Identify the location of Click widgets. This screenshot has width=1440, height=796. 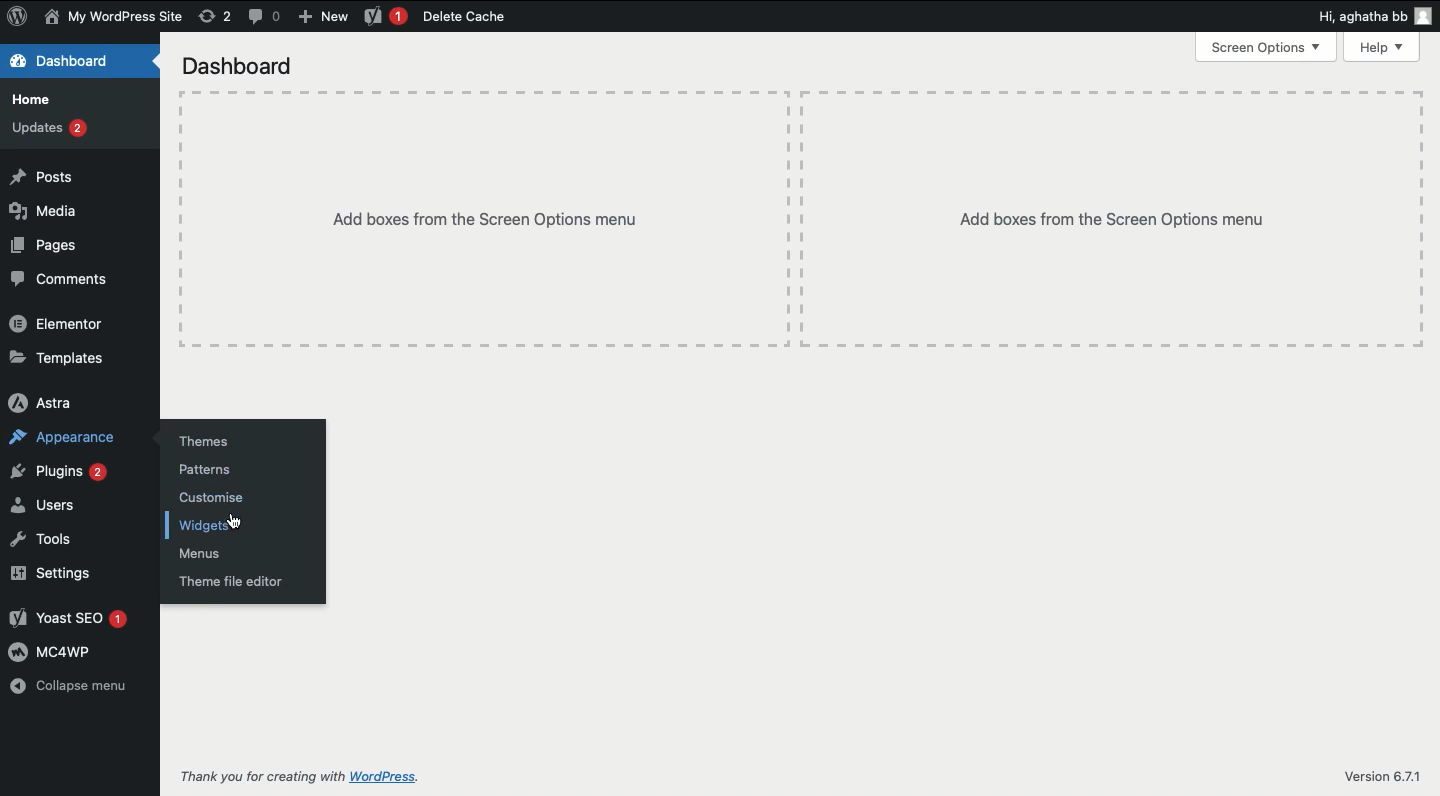
(220, 527).